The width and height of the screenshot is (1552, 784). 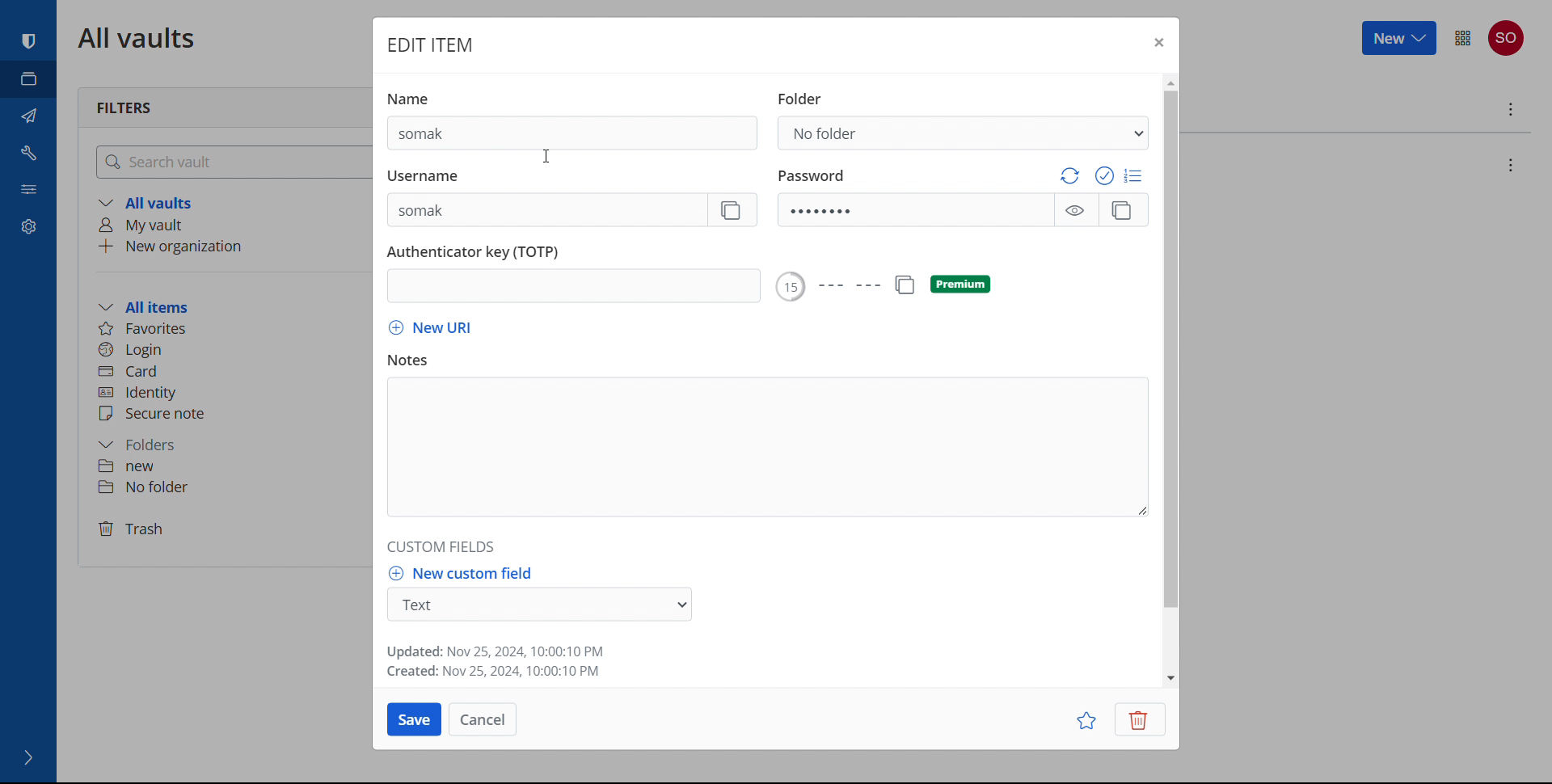 I want to click on add new organization, so click(x=231, y=247).